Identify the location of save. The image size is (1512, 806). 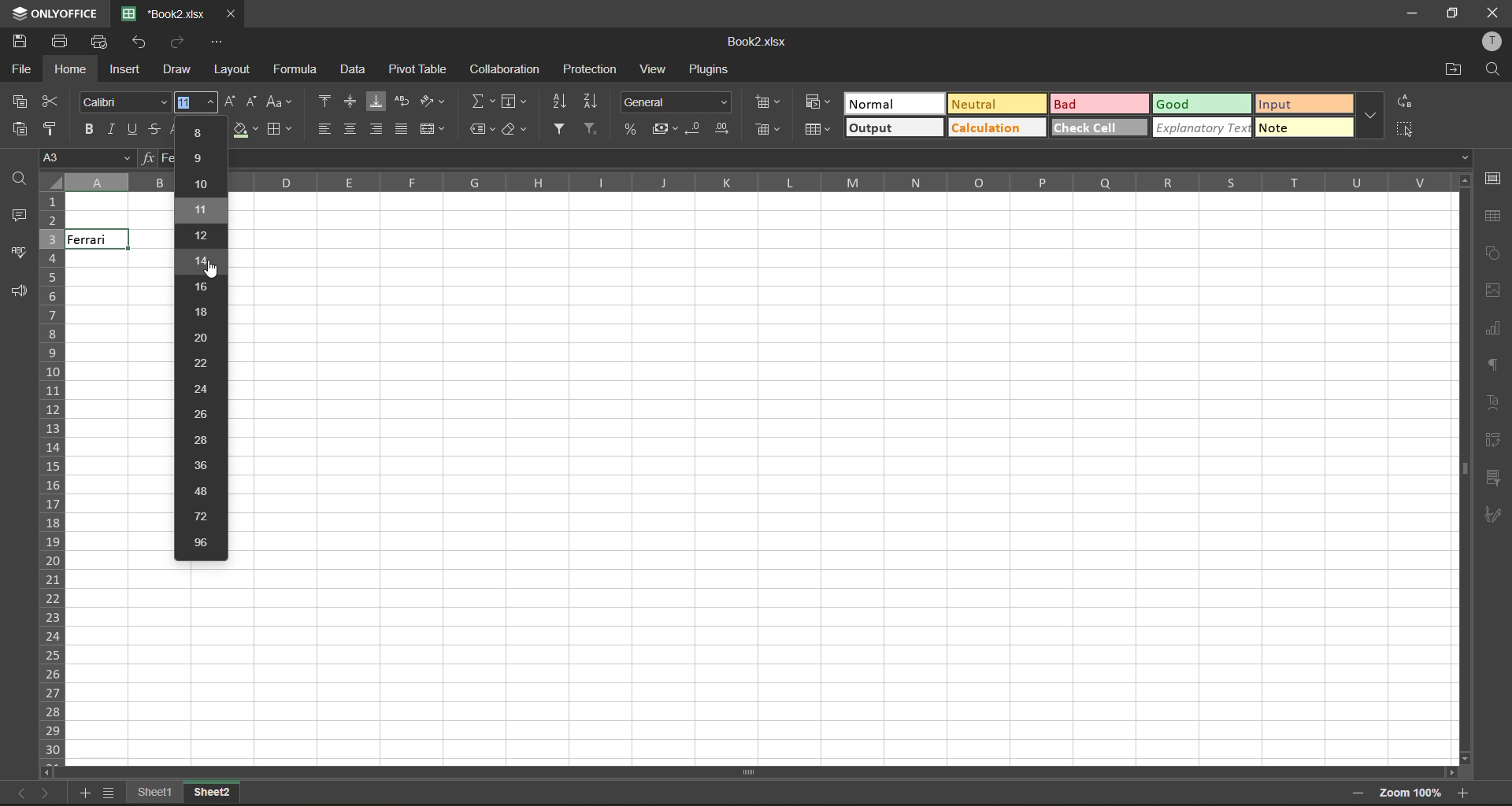
(23, 40).